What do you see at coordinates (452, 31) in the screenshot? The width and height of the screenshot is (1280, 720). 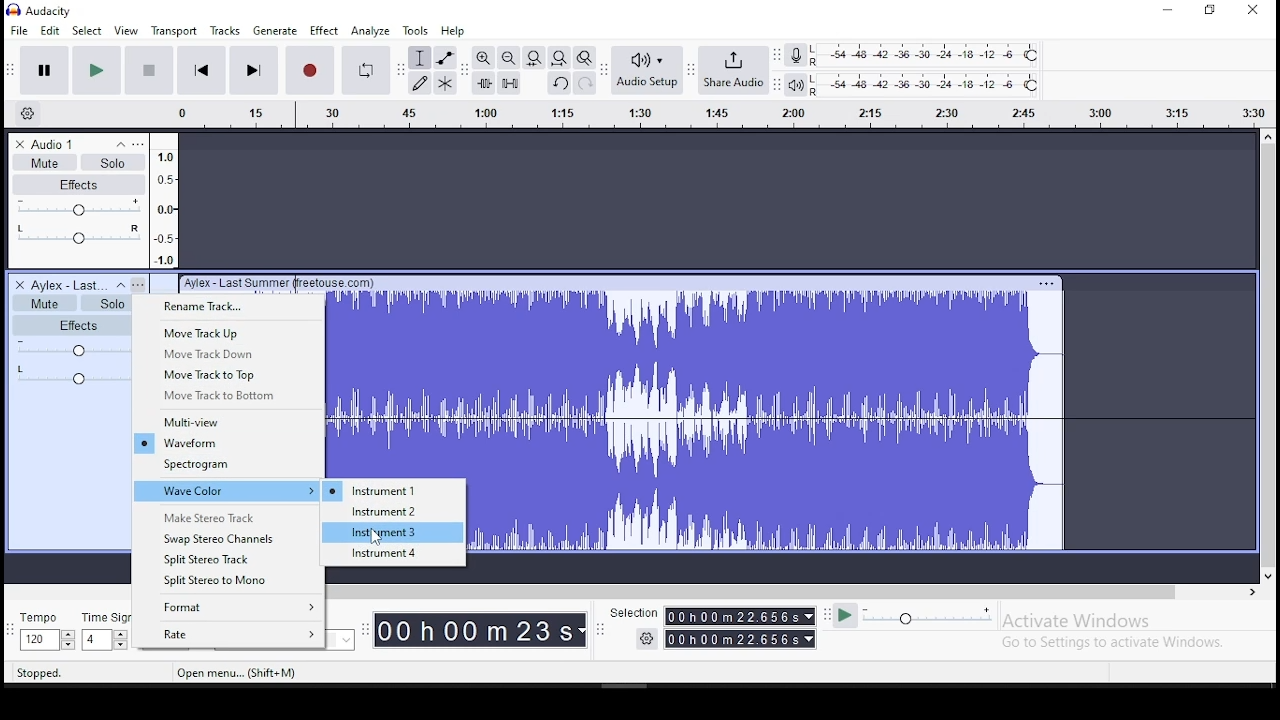 I see `help` at bounding box center [452, 31].